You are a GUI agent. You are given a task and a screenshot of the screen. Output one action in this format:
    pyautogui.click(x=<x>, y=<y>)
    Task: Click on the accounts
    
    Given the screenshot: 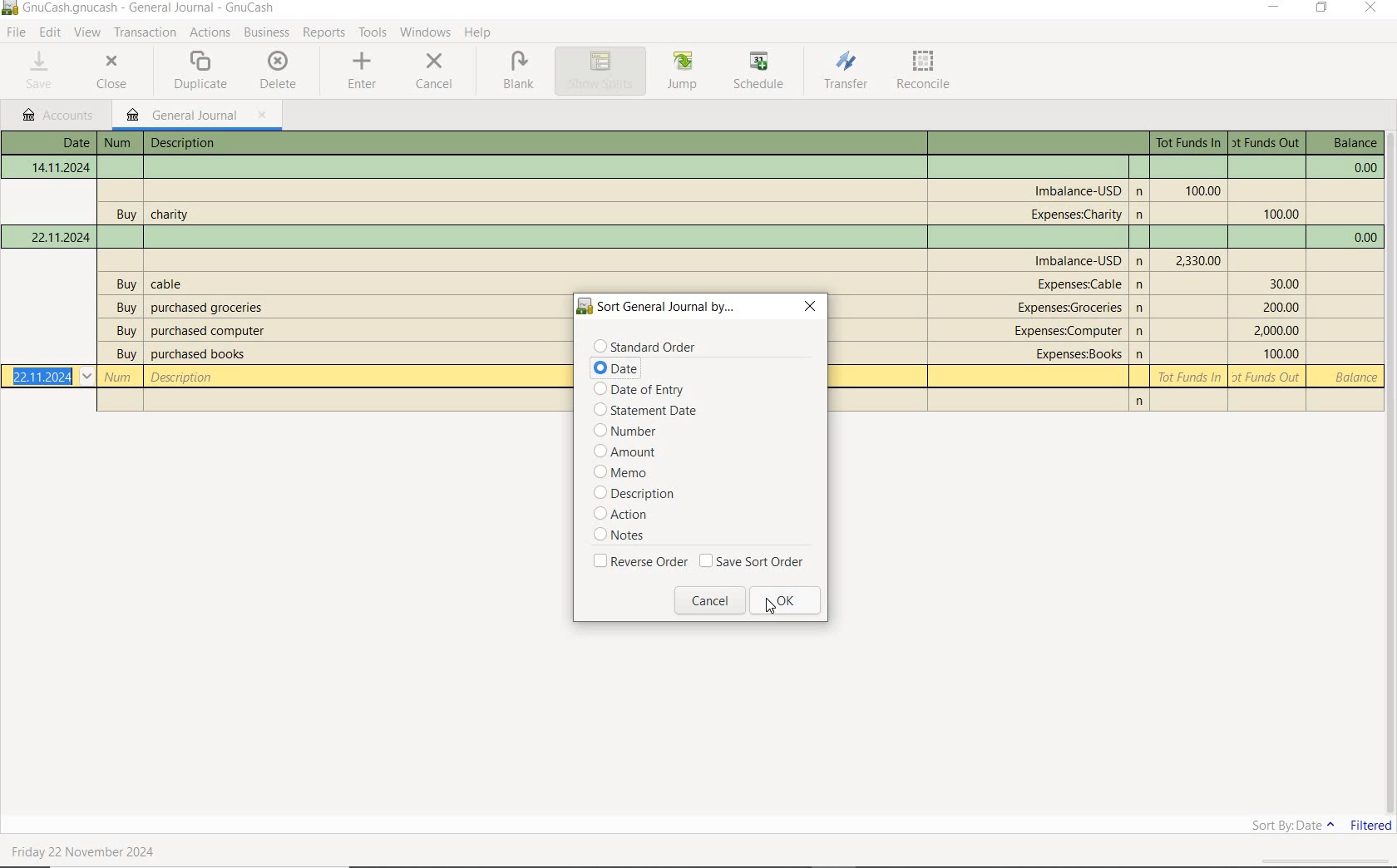 What is the action you would take?
    pyautogui.click(x=60, y=116)
    